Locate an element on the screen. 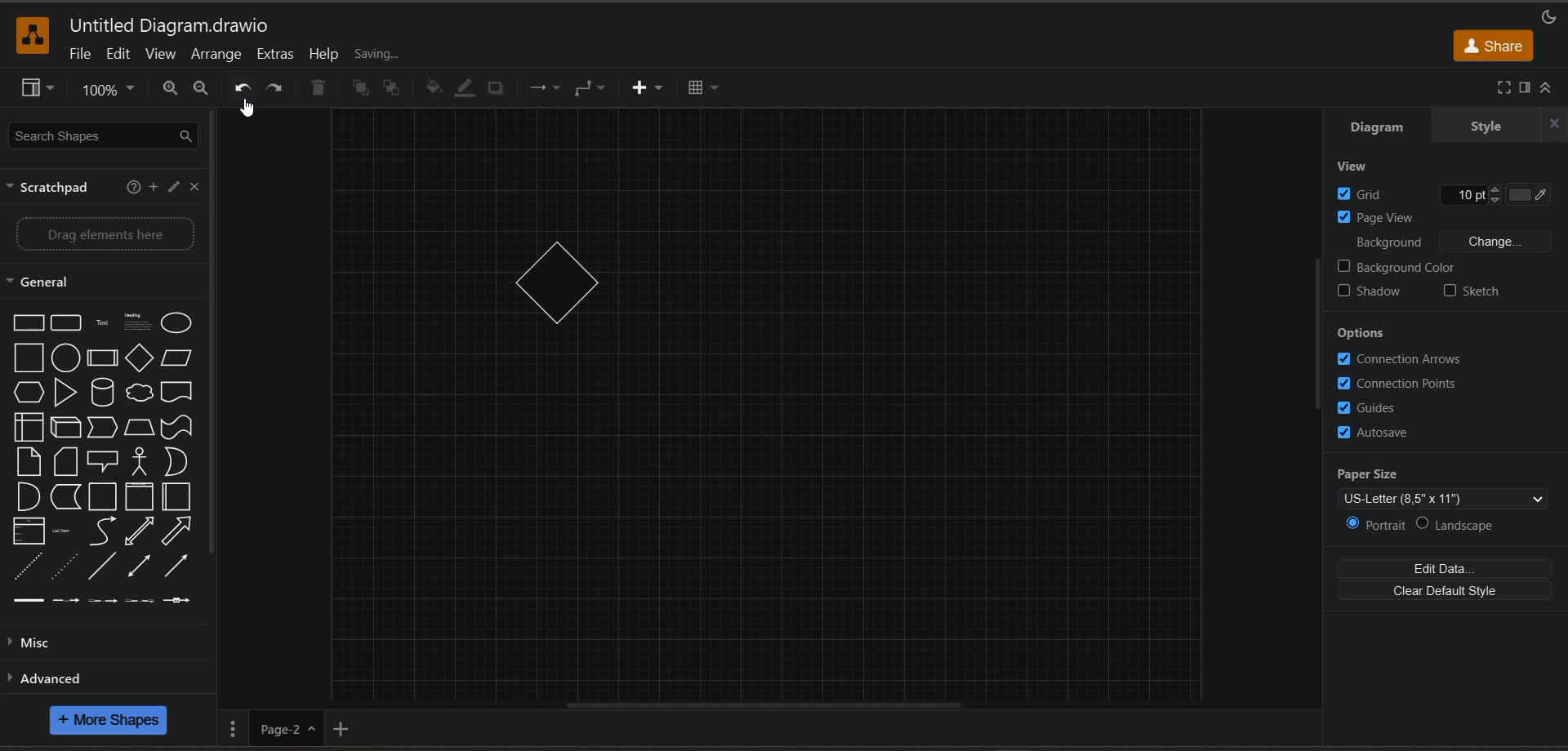  scratchpad is located at coordinates (47, 188).